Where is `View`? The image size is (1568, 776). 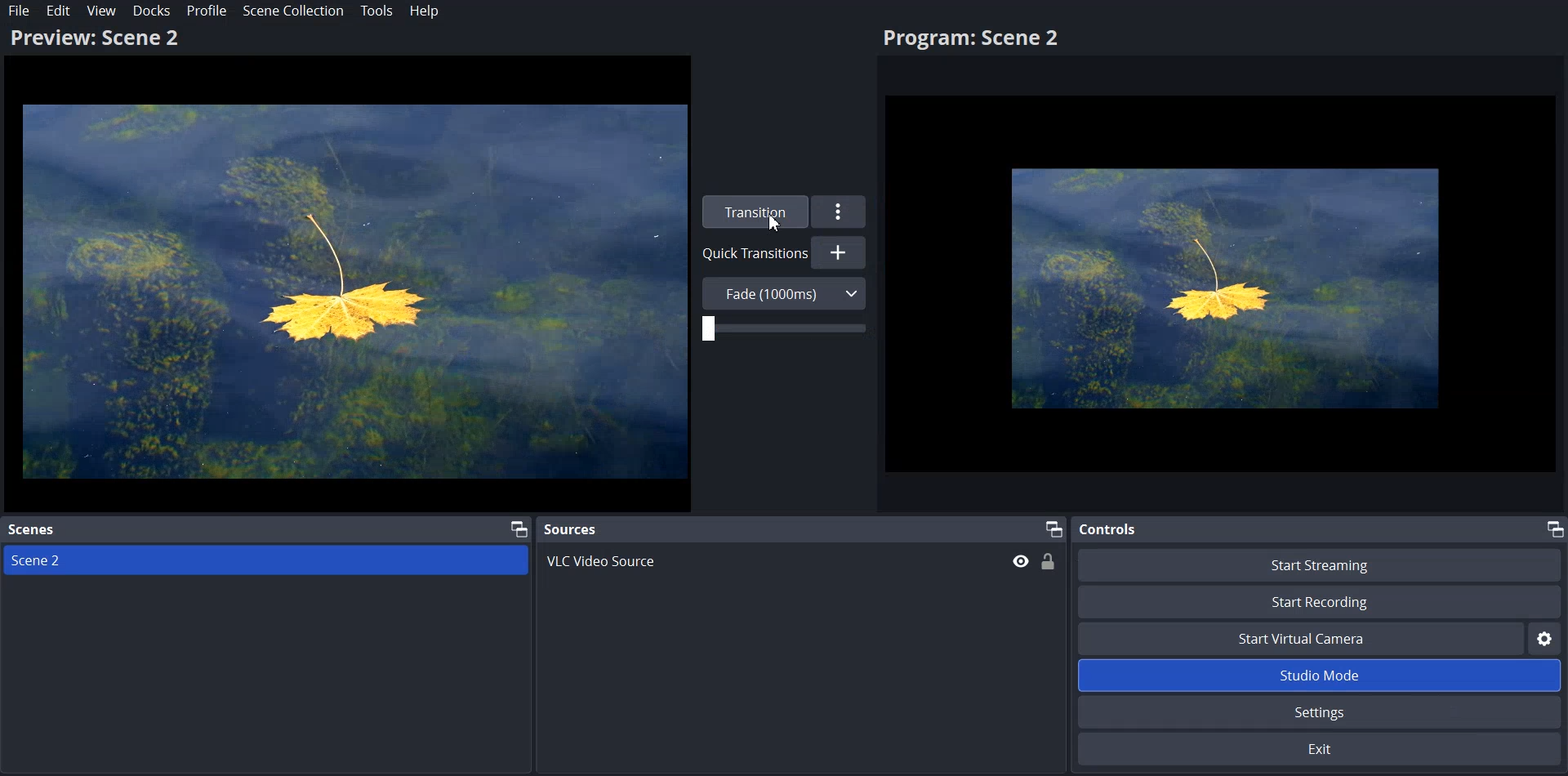
View is located at coordinates (101, 11).